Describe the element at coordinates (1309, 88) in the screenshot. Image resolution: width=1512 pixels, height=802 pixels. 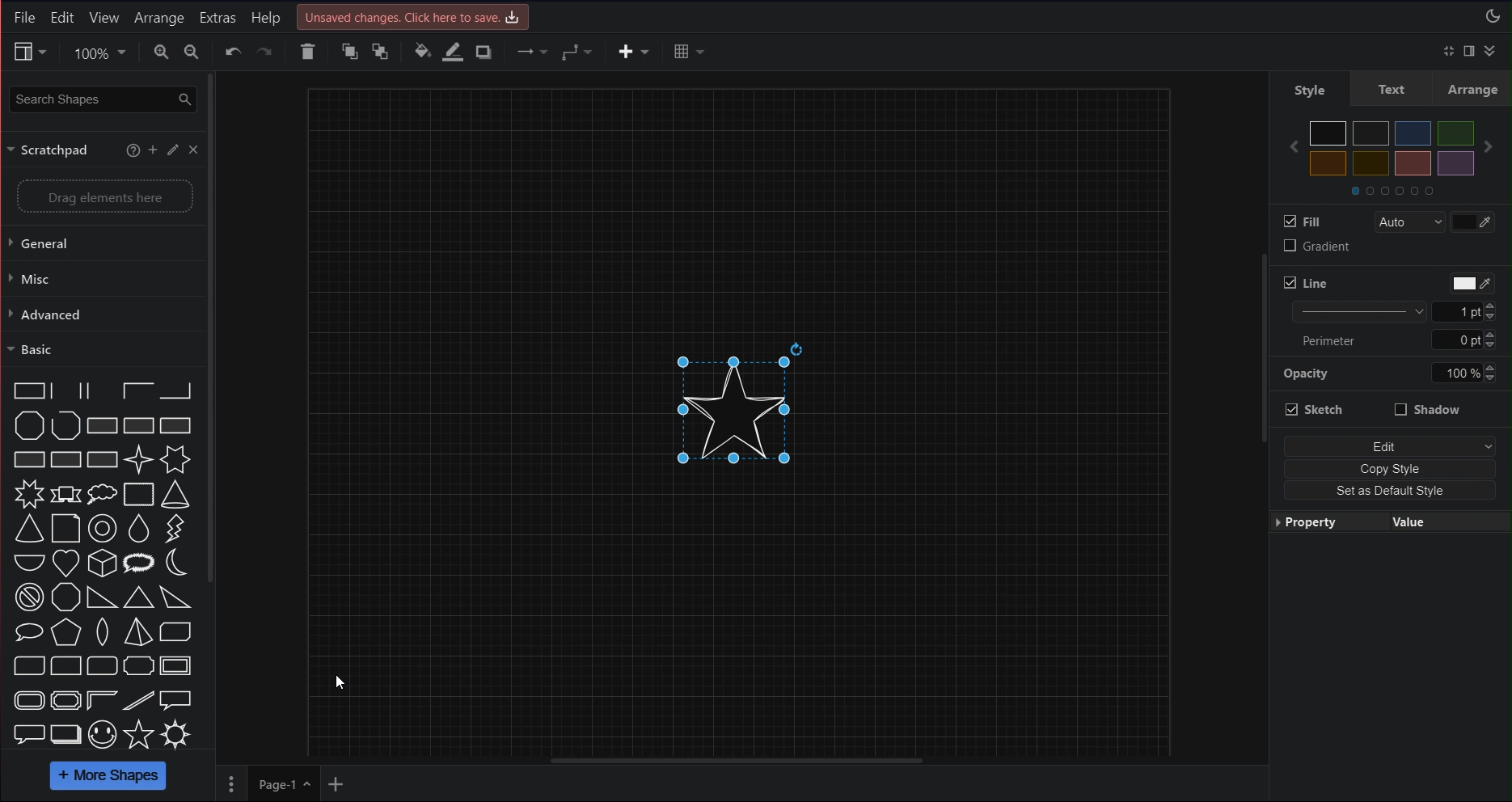
I see `Style` at that location.